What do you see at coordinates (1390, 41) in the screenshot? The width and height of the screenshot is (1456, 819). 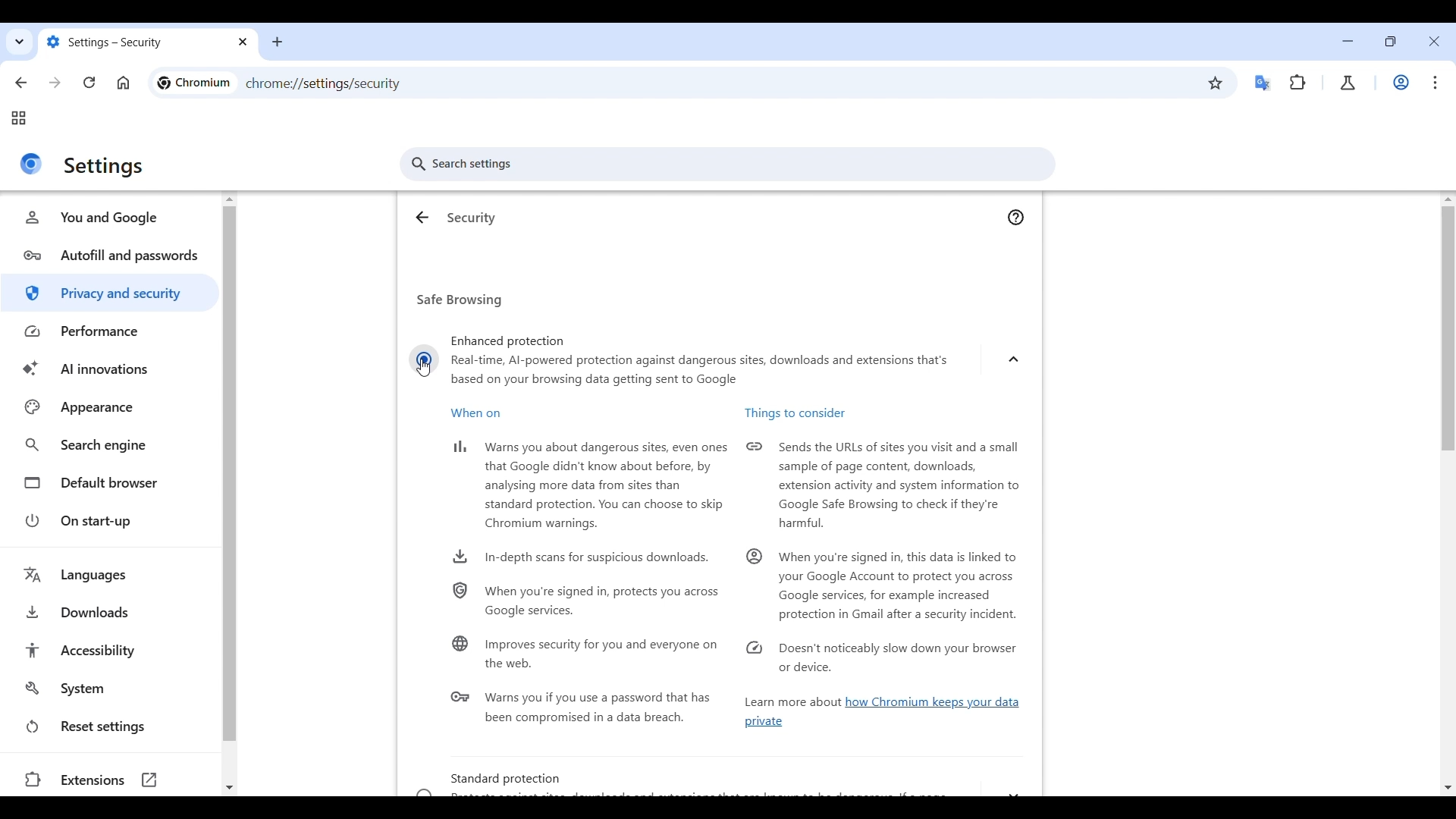 I see `Show interface in smaller tab` at bounding box center [1390, 41].